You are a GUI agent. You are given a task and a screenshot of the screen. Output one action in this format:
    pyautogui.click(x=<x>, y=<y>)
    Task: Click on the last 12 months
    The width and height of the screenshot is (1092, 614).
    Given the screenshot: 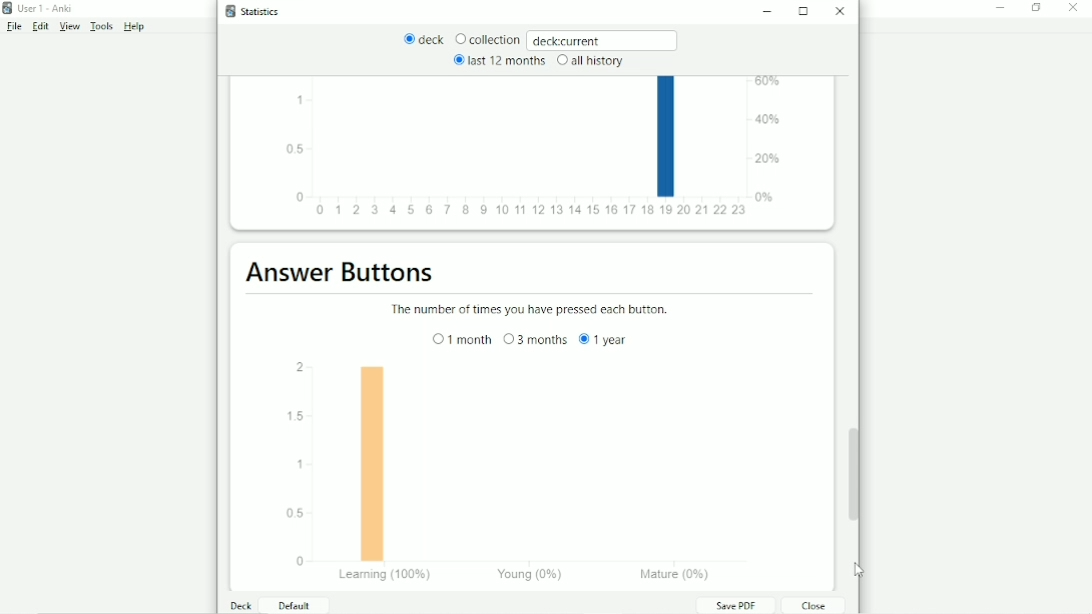 What is the action you would take?
    pyautogui.click(x=498, y=60)
    